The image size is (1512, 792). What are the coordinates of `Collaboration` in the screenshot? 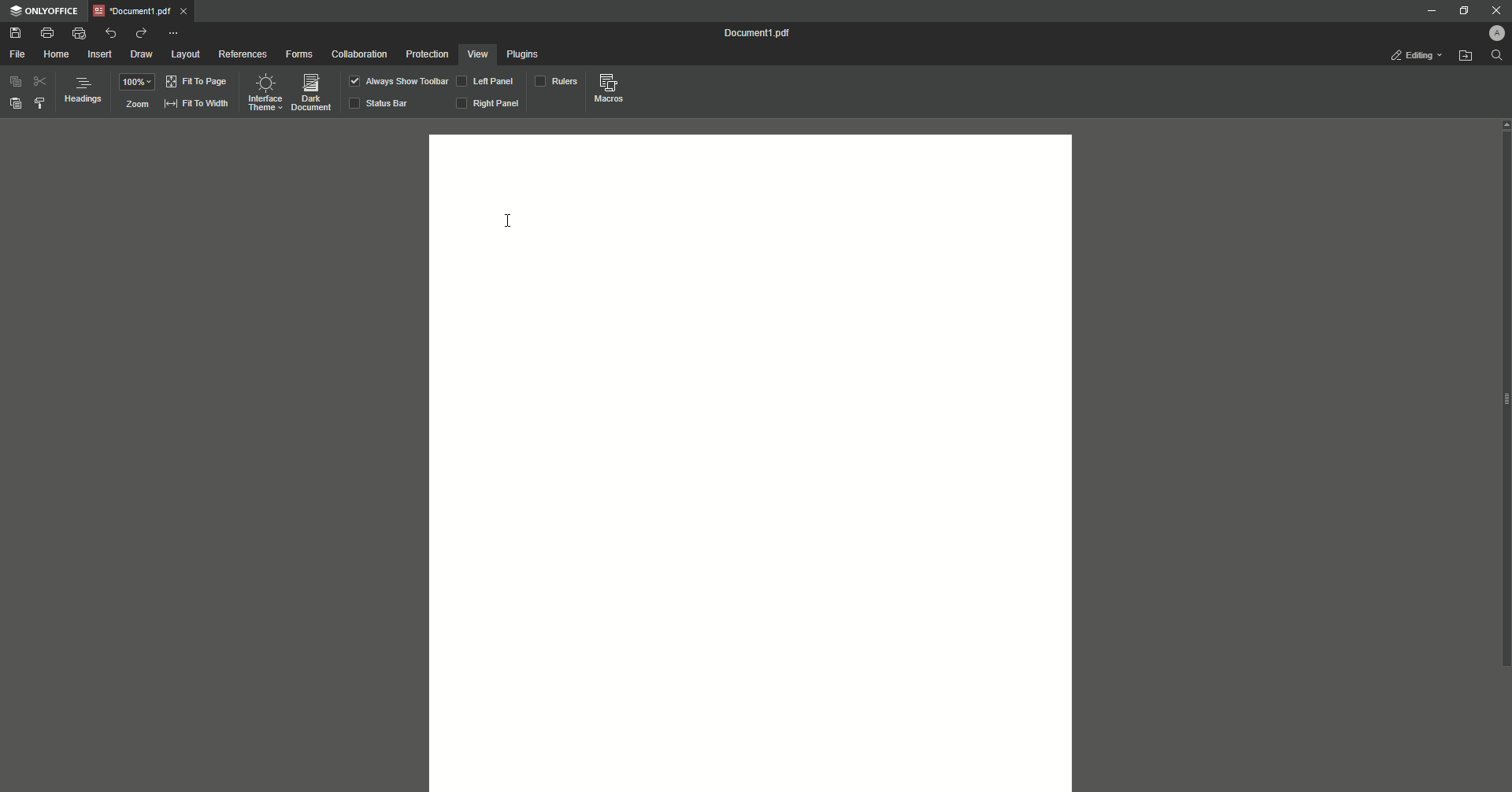 It's located at (361, 54).